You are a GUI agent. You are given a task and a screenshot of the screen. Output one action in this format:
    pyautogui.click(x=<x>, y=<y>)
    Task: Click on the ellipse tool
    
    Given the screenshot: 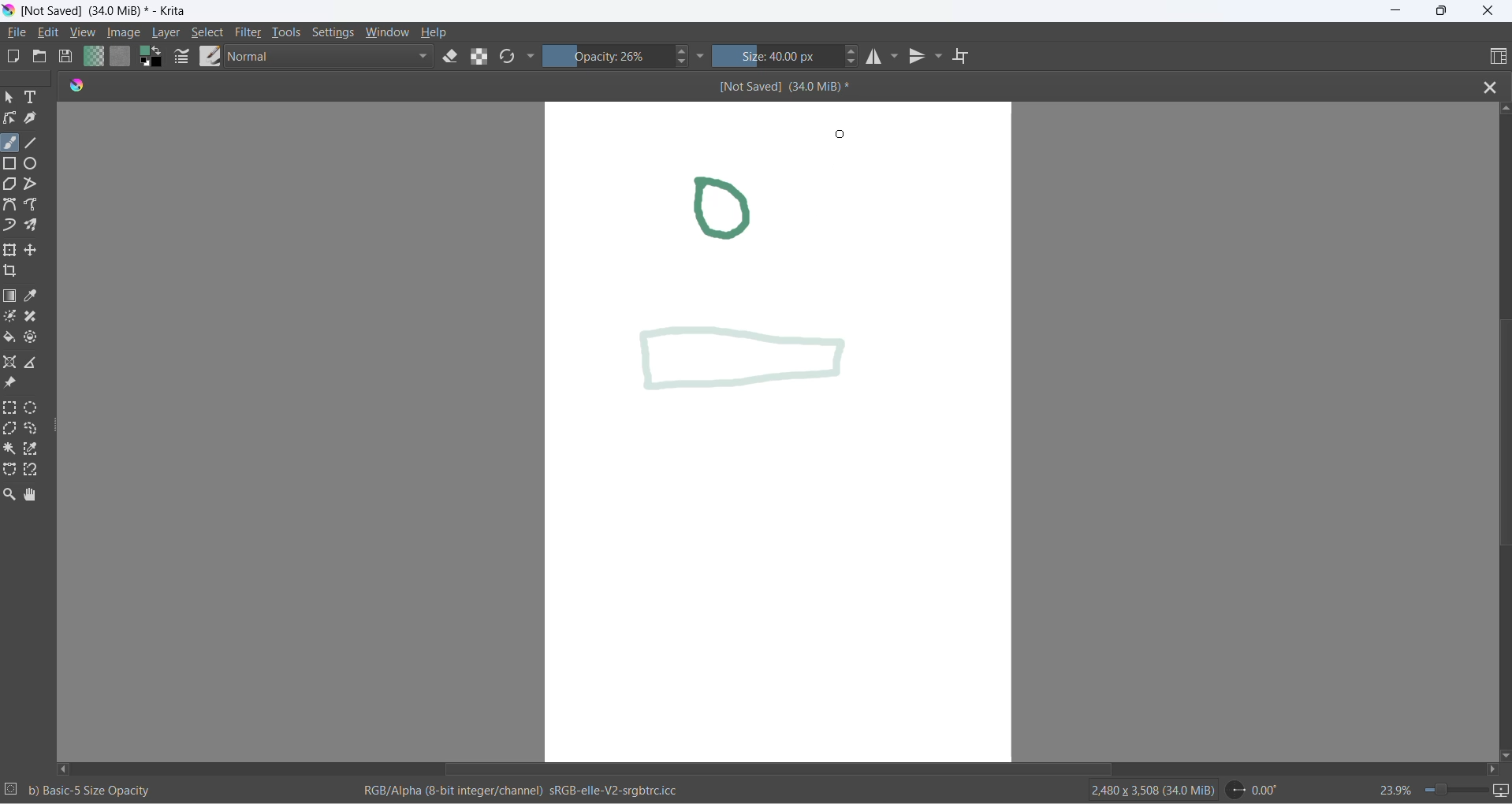 What is the action you would take?
    pyautogui.click(x=39, y=164)
    